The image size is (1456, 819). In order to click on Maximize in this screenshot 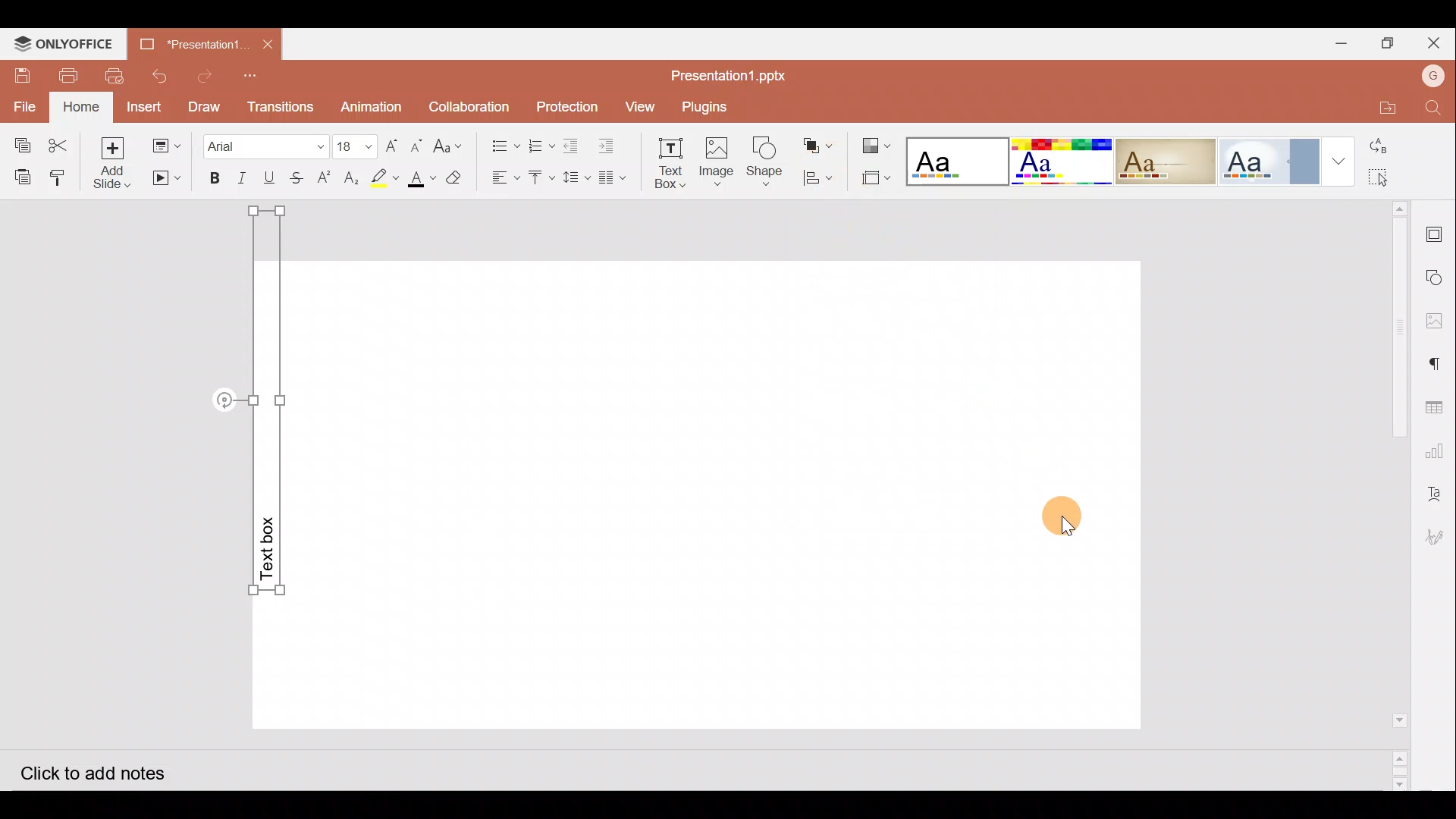, I will do `click(1392, 42)`.